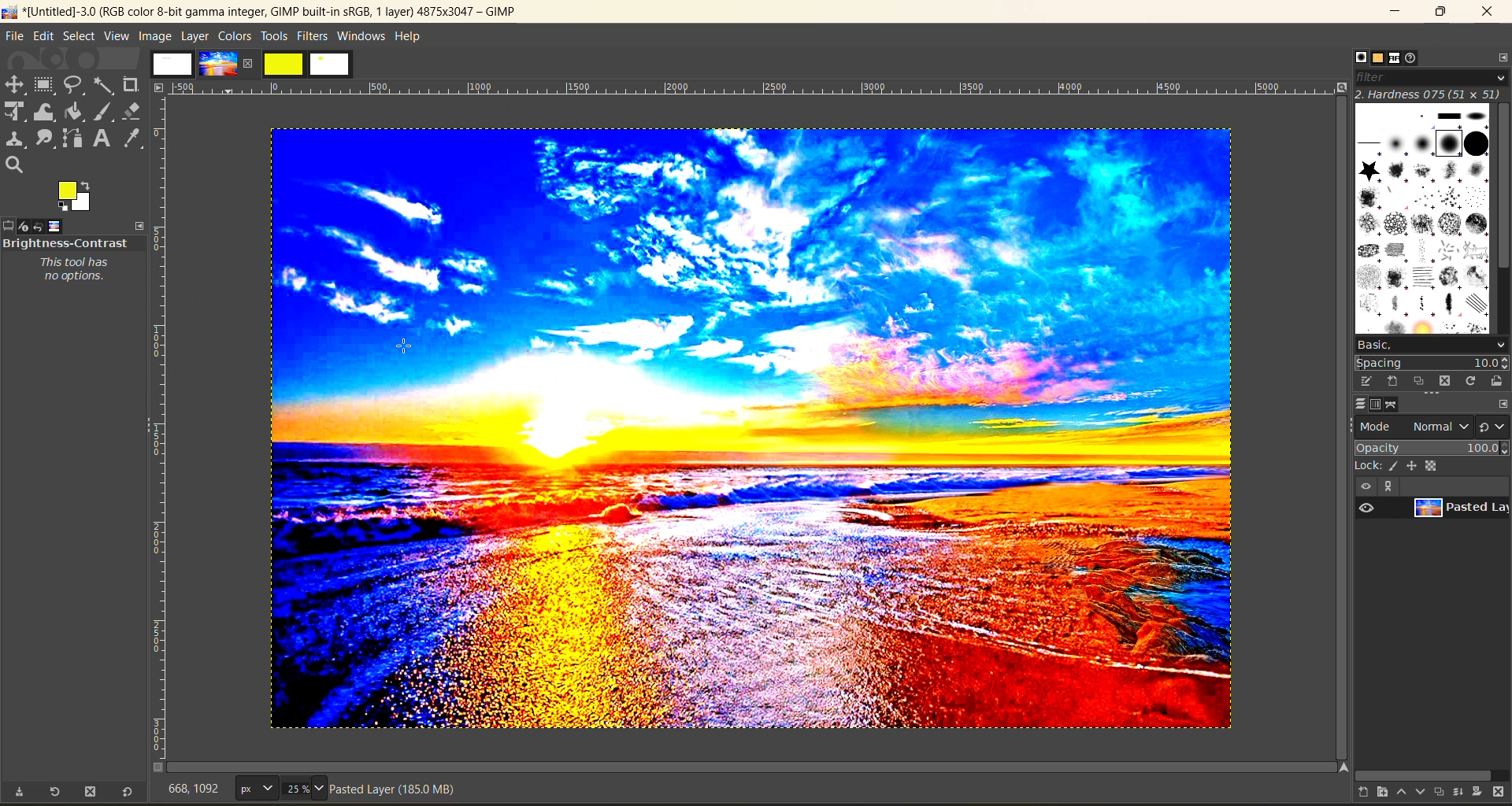  I want to click on mode, so click(1414, 426).